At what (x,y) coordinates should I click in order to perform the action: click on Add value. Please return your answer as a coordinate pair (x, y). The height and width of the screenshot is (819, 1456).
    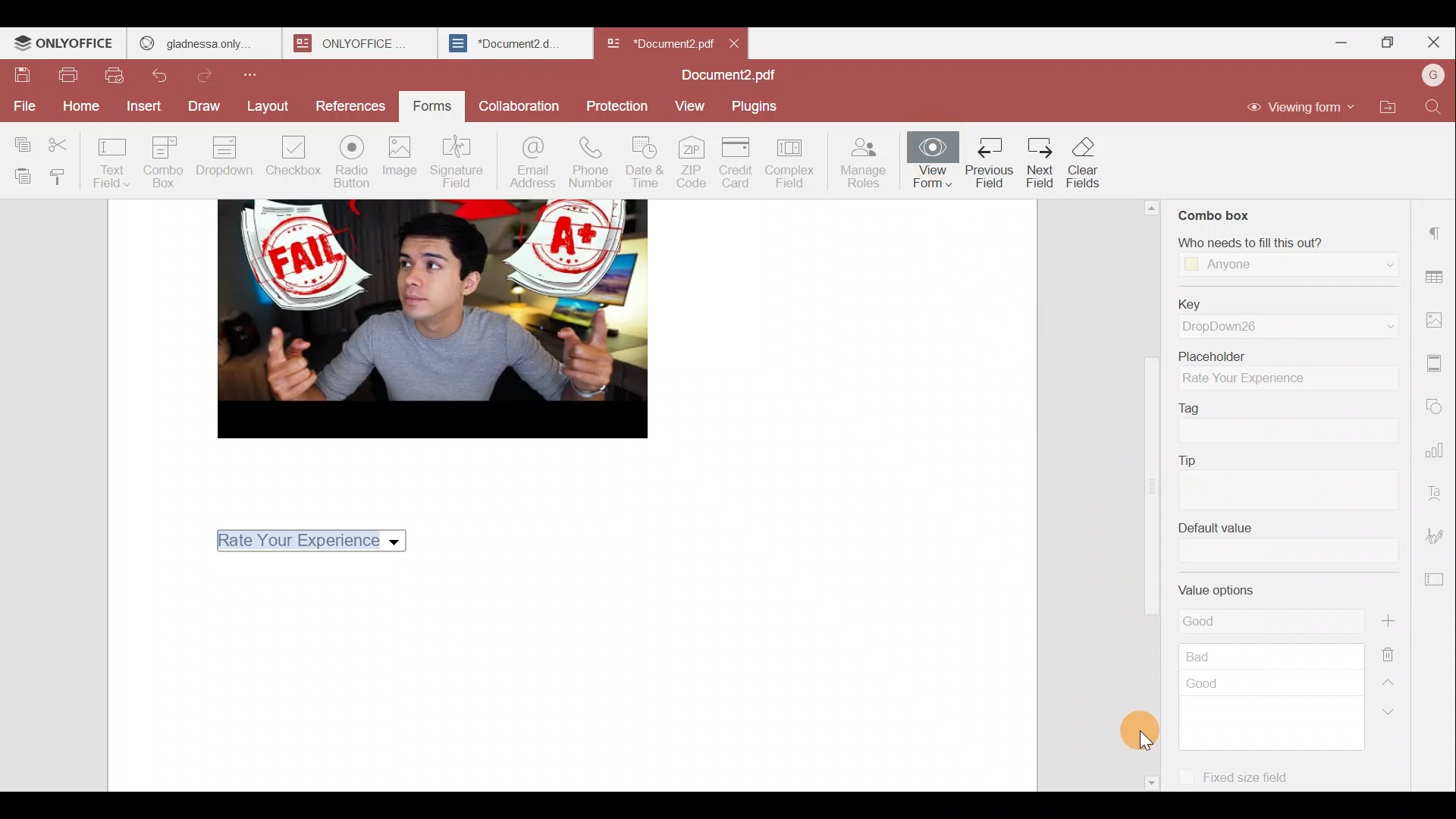
    Looking at the image, I should click on (1393, 620).